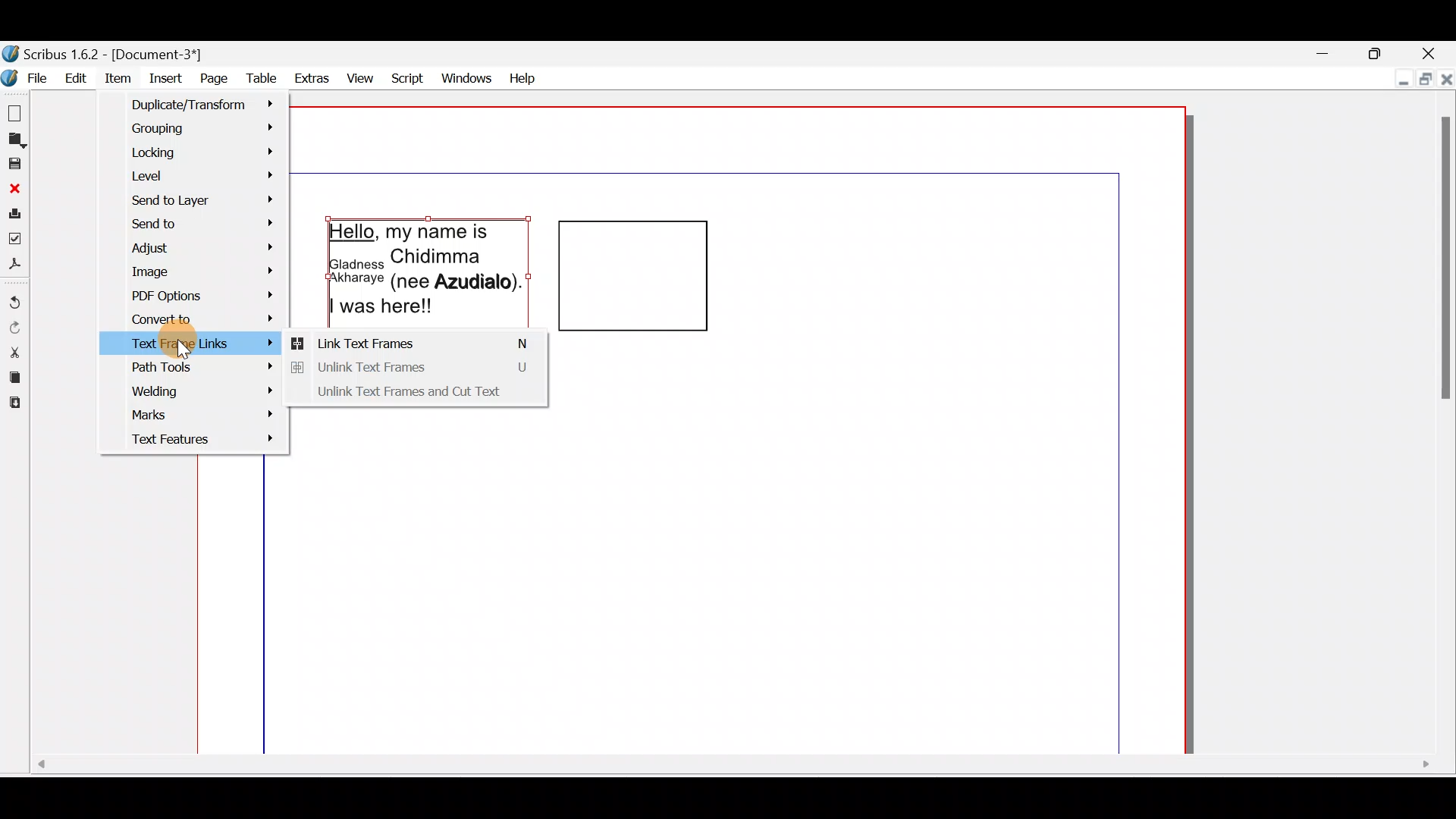 The width and height of the screenshot is (1456, 819). I want to click on Close, so click(1446, 76).